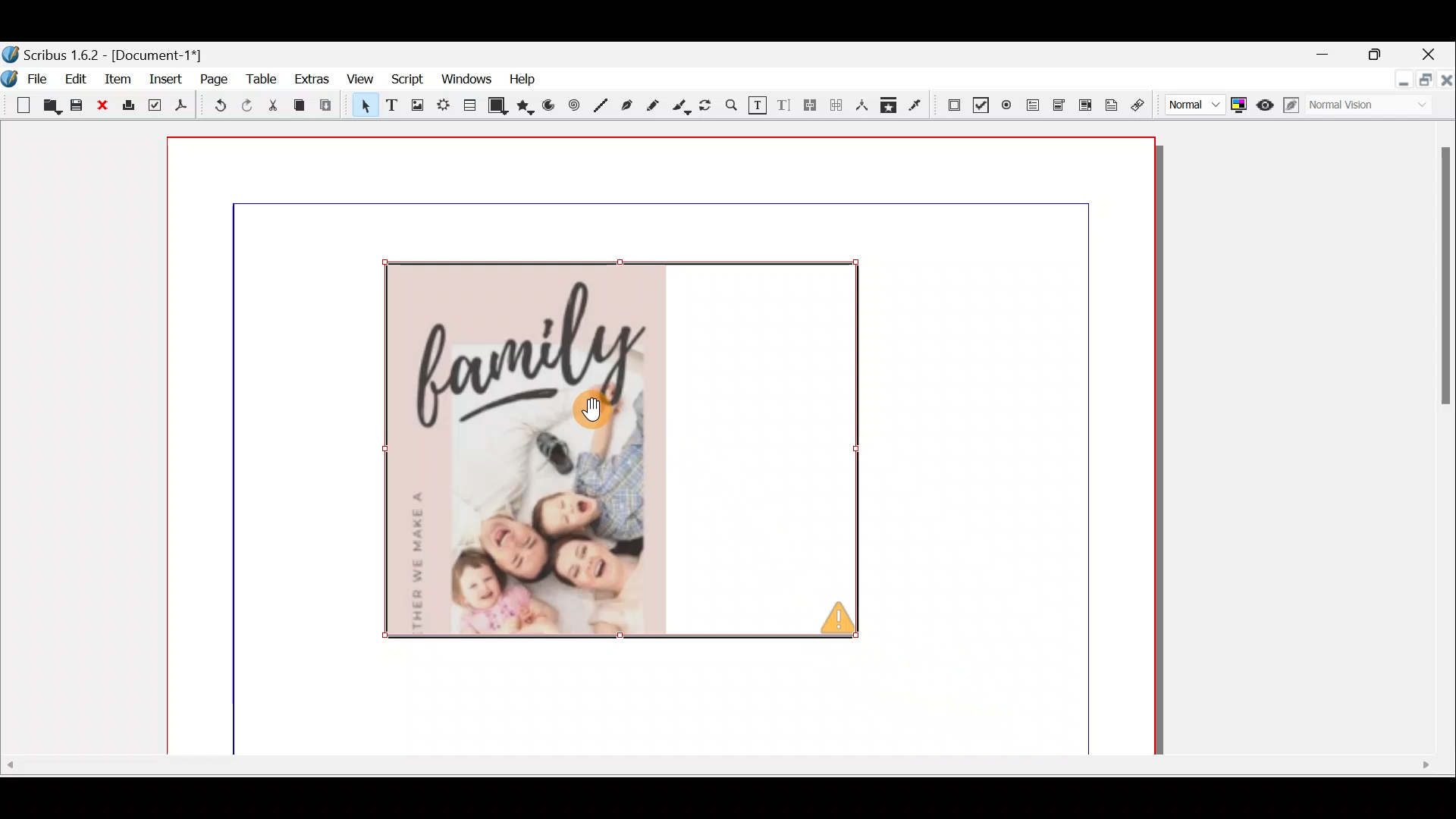  What do you see at coordinates (501, 108) in the screenshot?
I see `Shape` at bounding box center [501, 108].